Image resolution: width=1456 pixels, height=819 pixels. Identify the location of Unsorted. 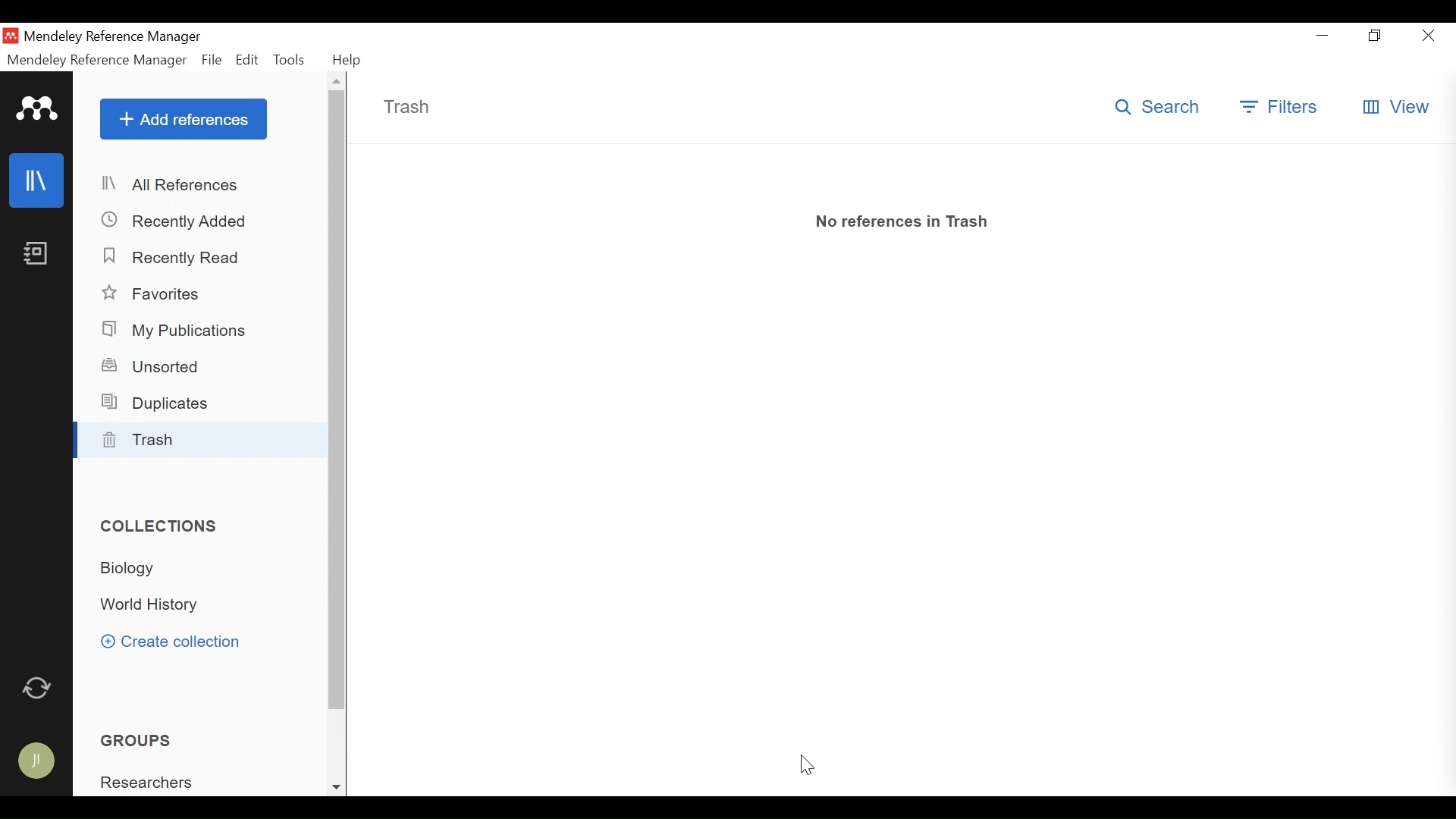
(157, 365).